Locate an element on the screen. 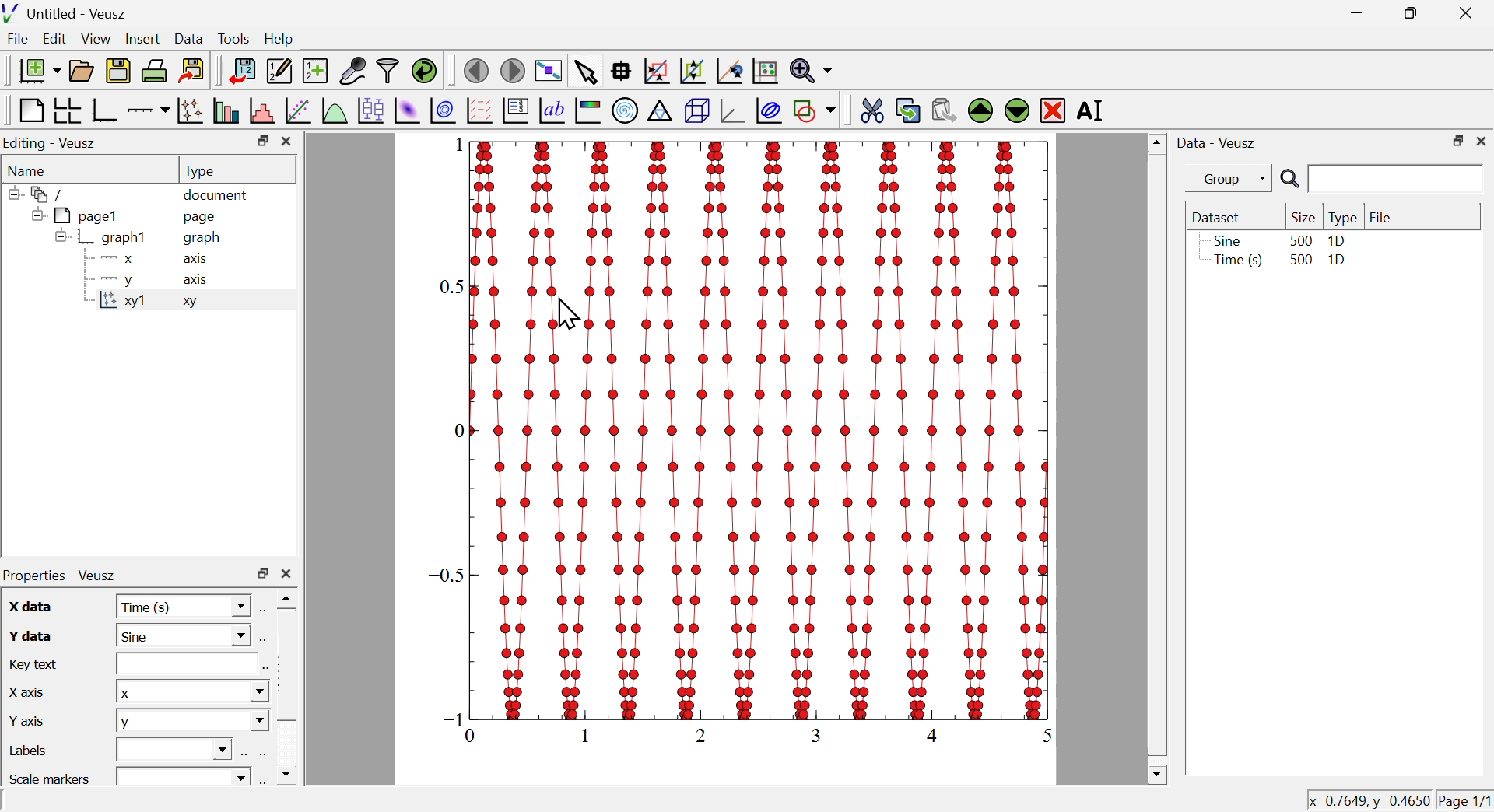 The width and height of the screenshot is (1494, 812). text box is located at coordinates (178, 747).